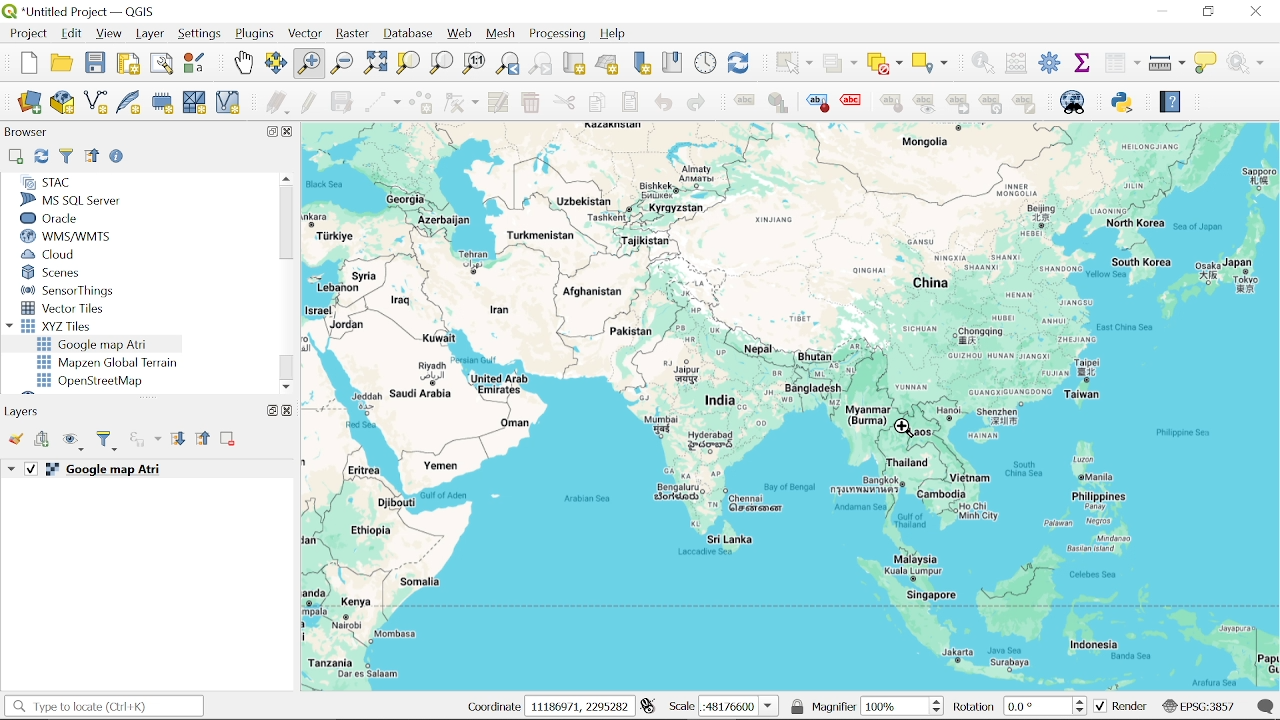 Image resolution: width=1280 pixels, height=720 pixels. What do you see at coordinates (560, 34) in the screenshot?
I see `Processing` at bounding box center [560, 34].